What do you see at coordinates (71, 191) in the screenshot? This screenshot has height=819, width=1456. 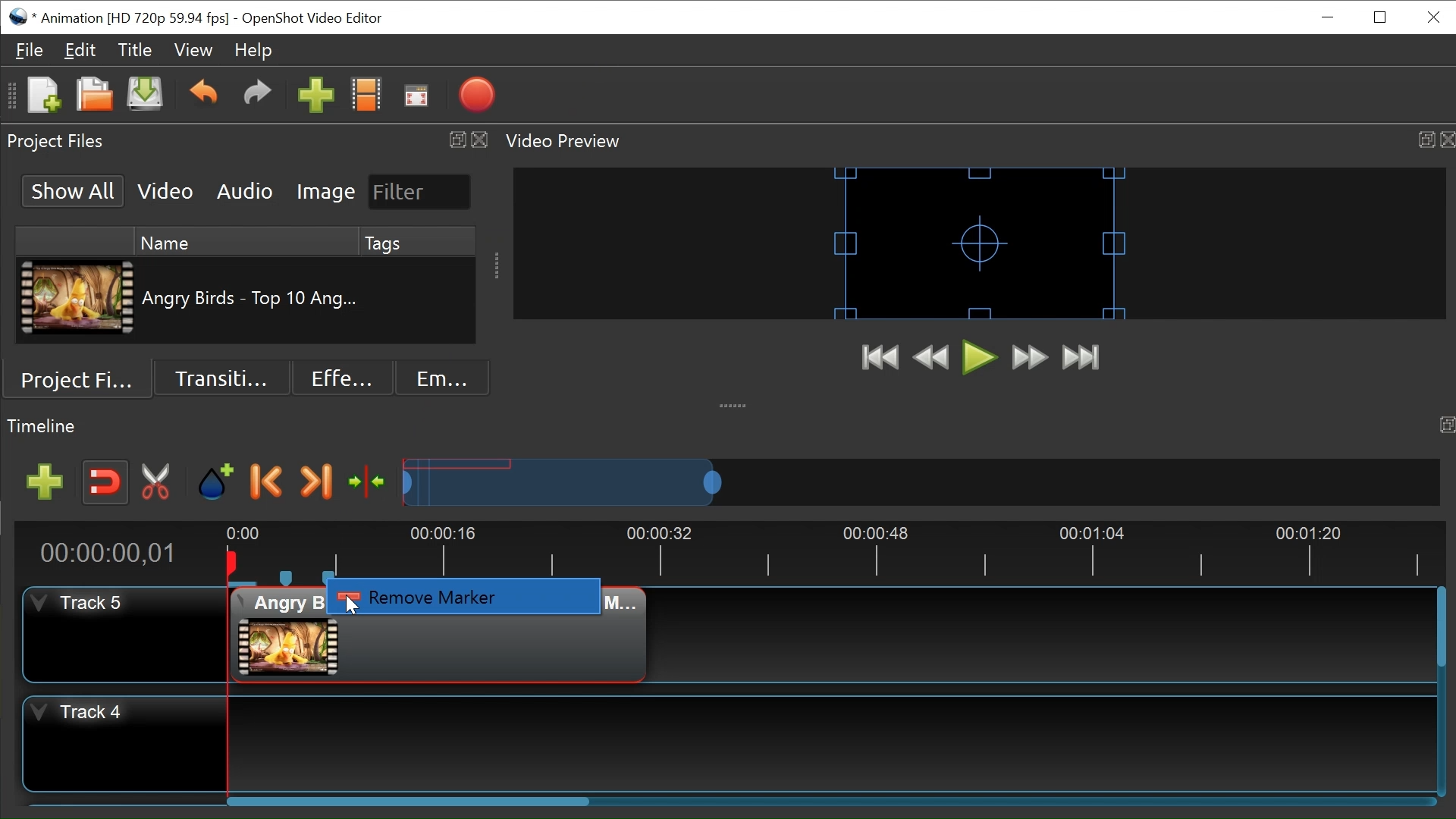 I see `Show All` at bounding box center [71, 191].